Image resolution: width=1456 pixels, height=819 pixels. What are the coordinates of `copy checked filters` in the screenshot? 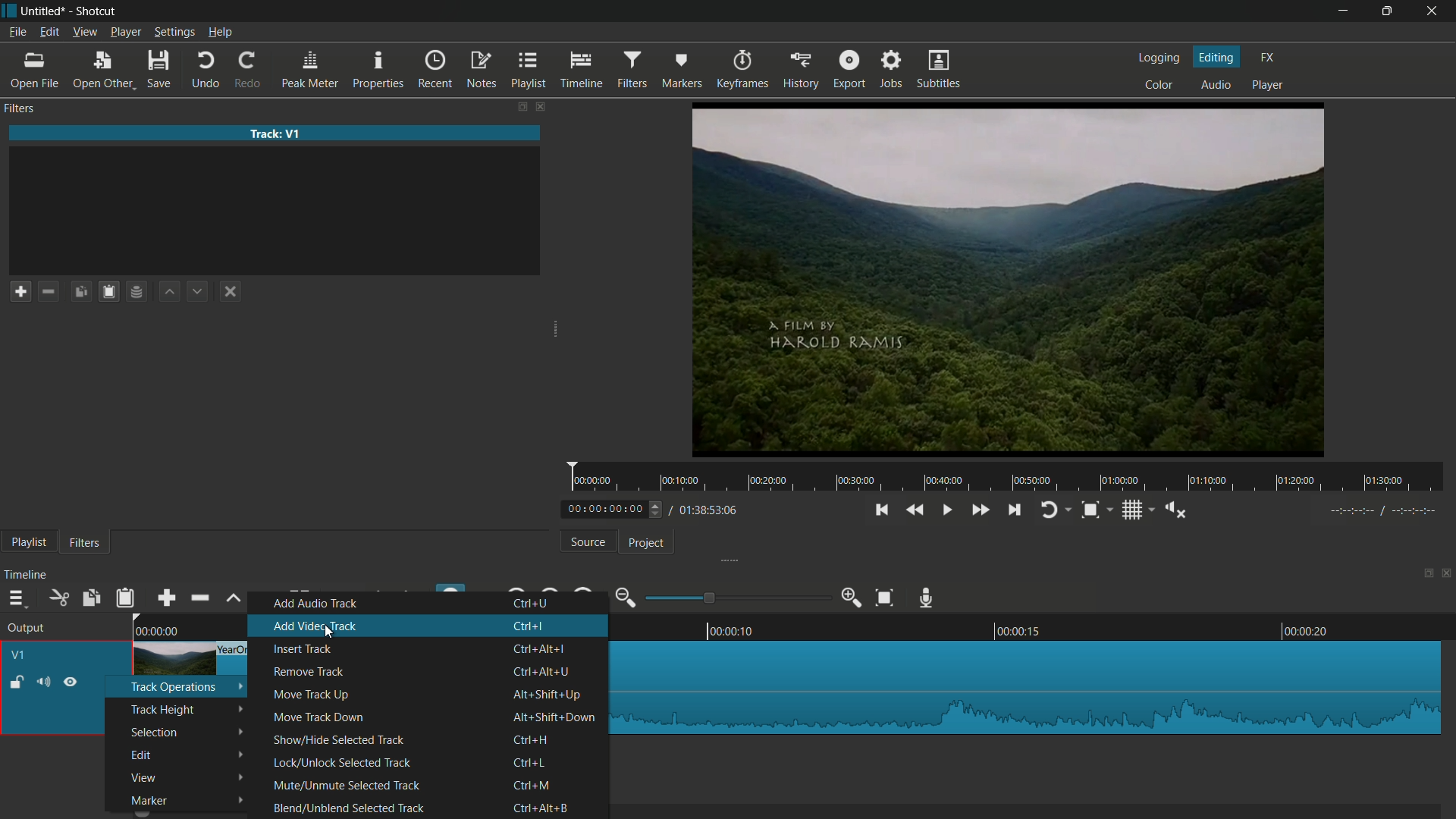 It's located at (83, 292).